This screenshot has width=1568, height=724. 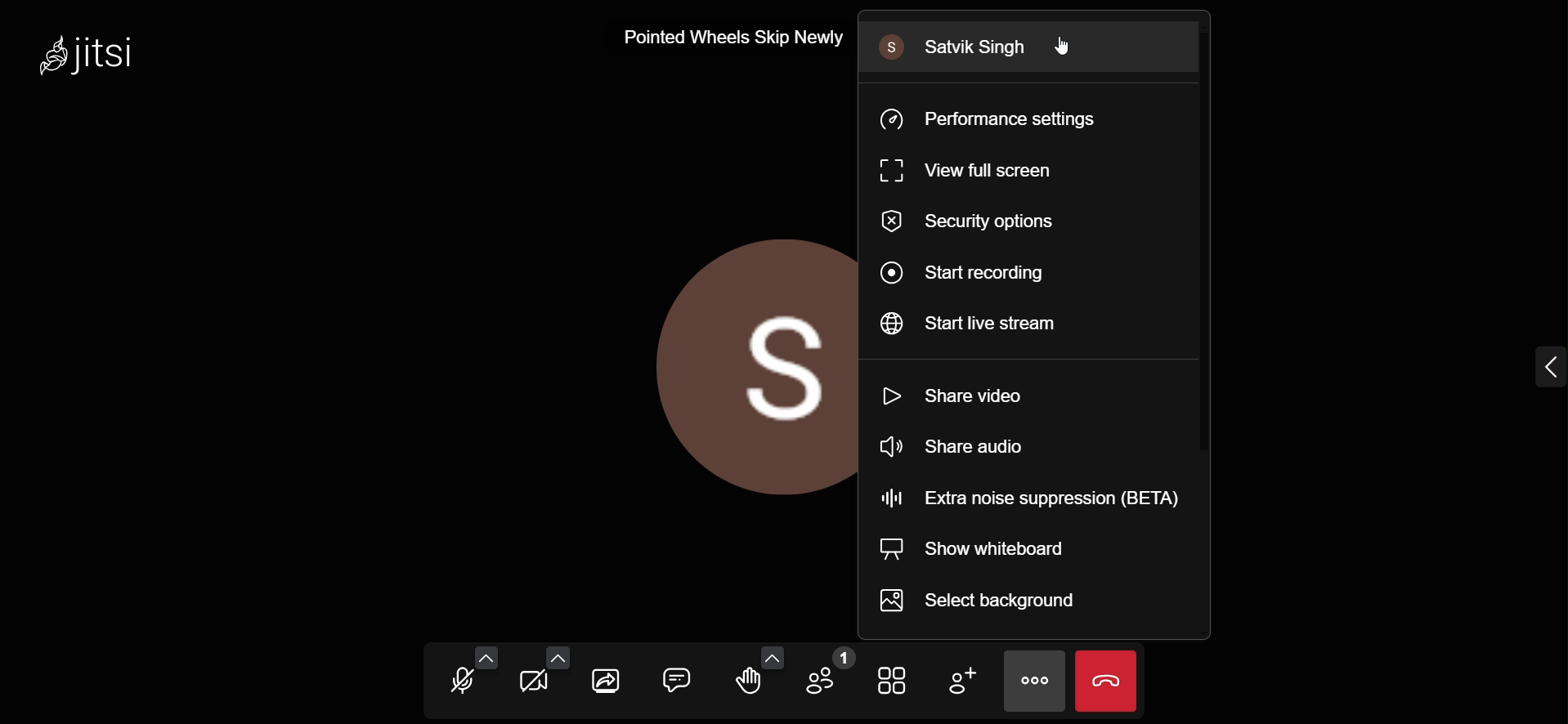 What do you see at coordinates (985, 223) in the screenshot?
I see `security options` at bounding box center [985, 223].